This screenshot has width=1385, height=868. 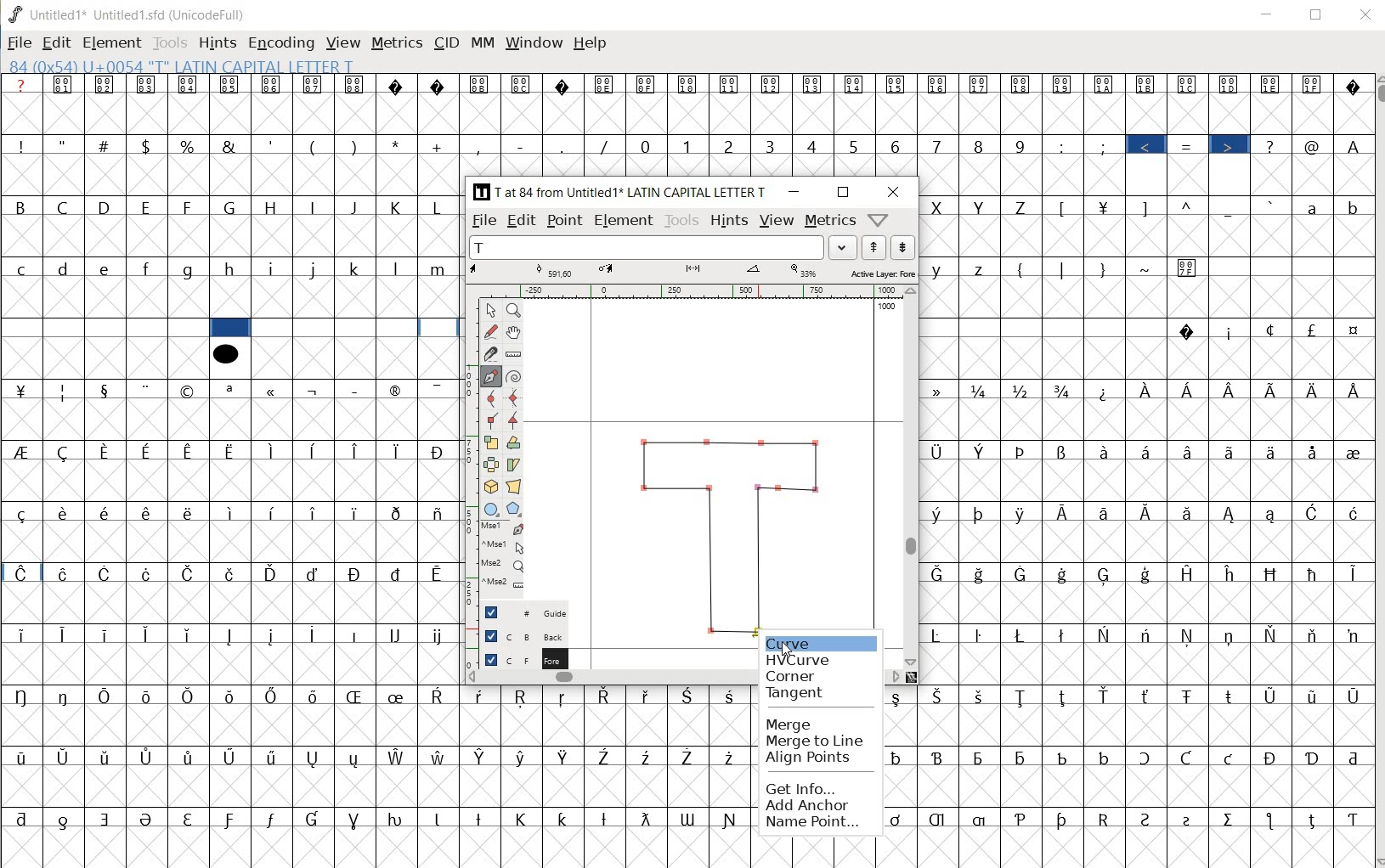 What do you see at coordinates (856, 84) in the screenshot?
I see `Symbol` at bounding box center [856, 84].